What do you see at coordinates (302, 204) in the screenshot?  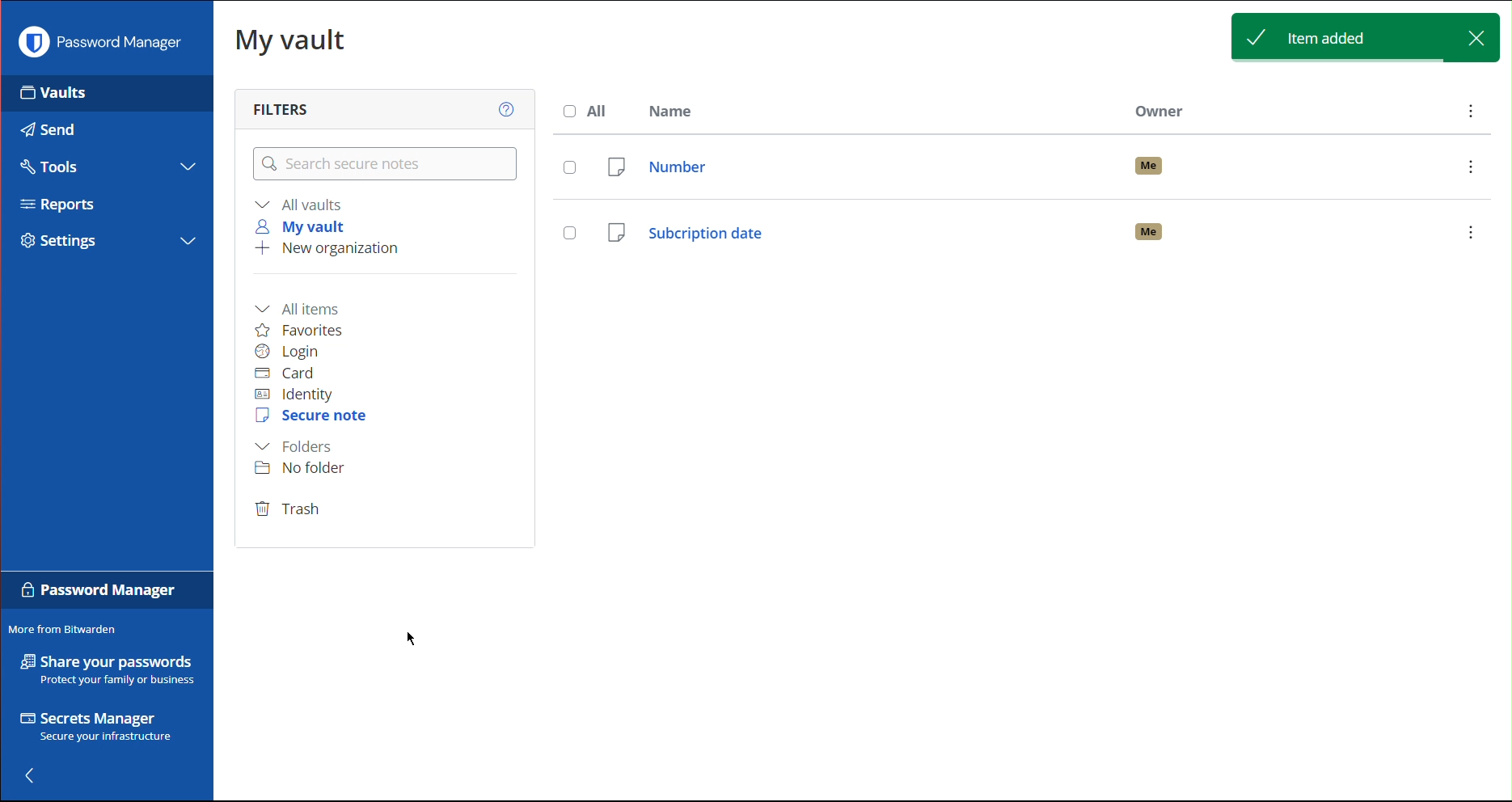 I see `All vaults` at bounding box center [302, 204].